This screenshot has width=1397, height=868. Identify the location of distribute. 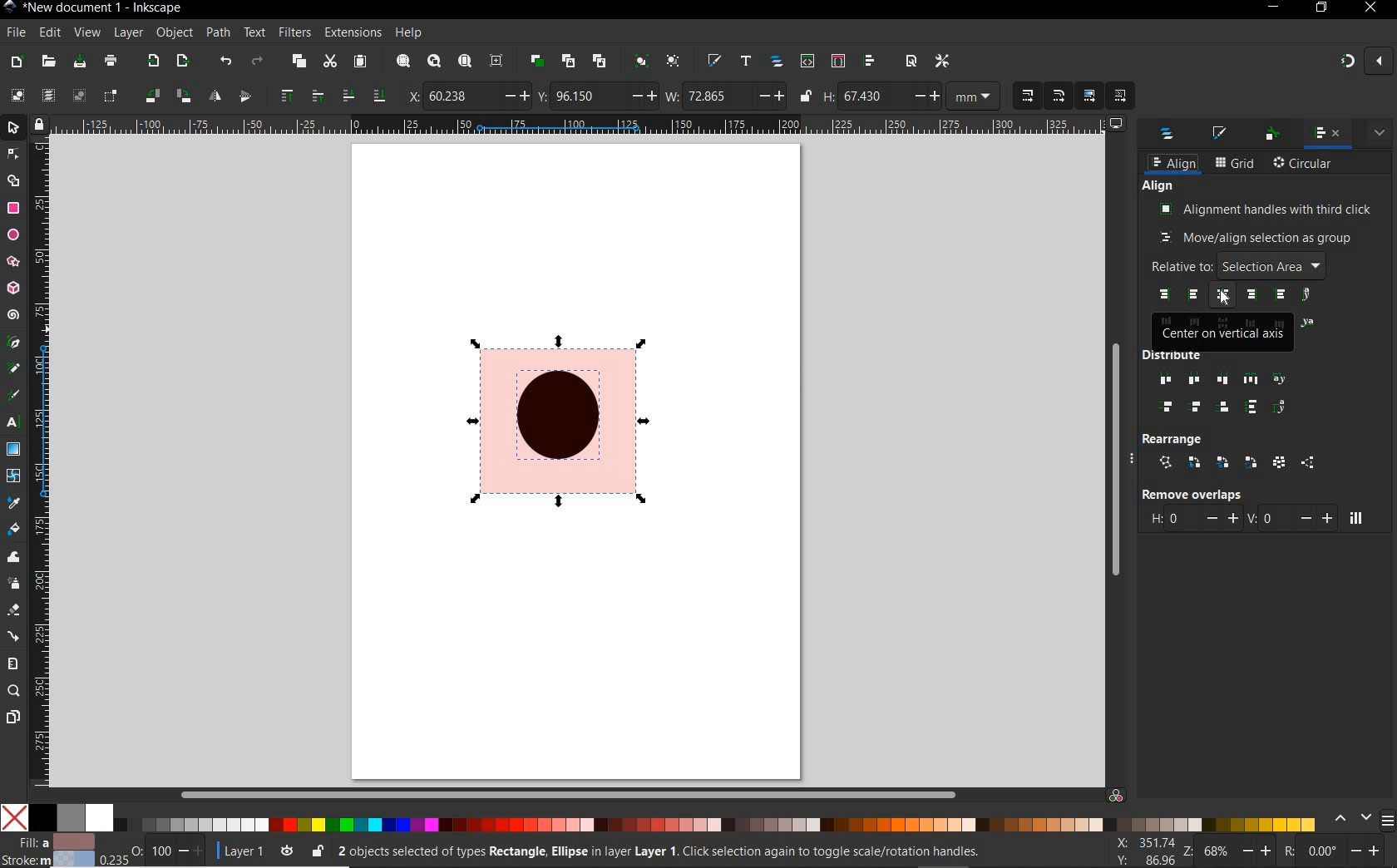
(1213, 357).